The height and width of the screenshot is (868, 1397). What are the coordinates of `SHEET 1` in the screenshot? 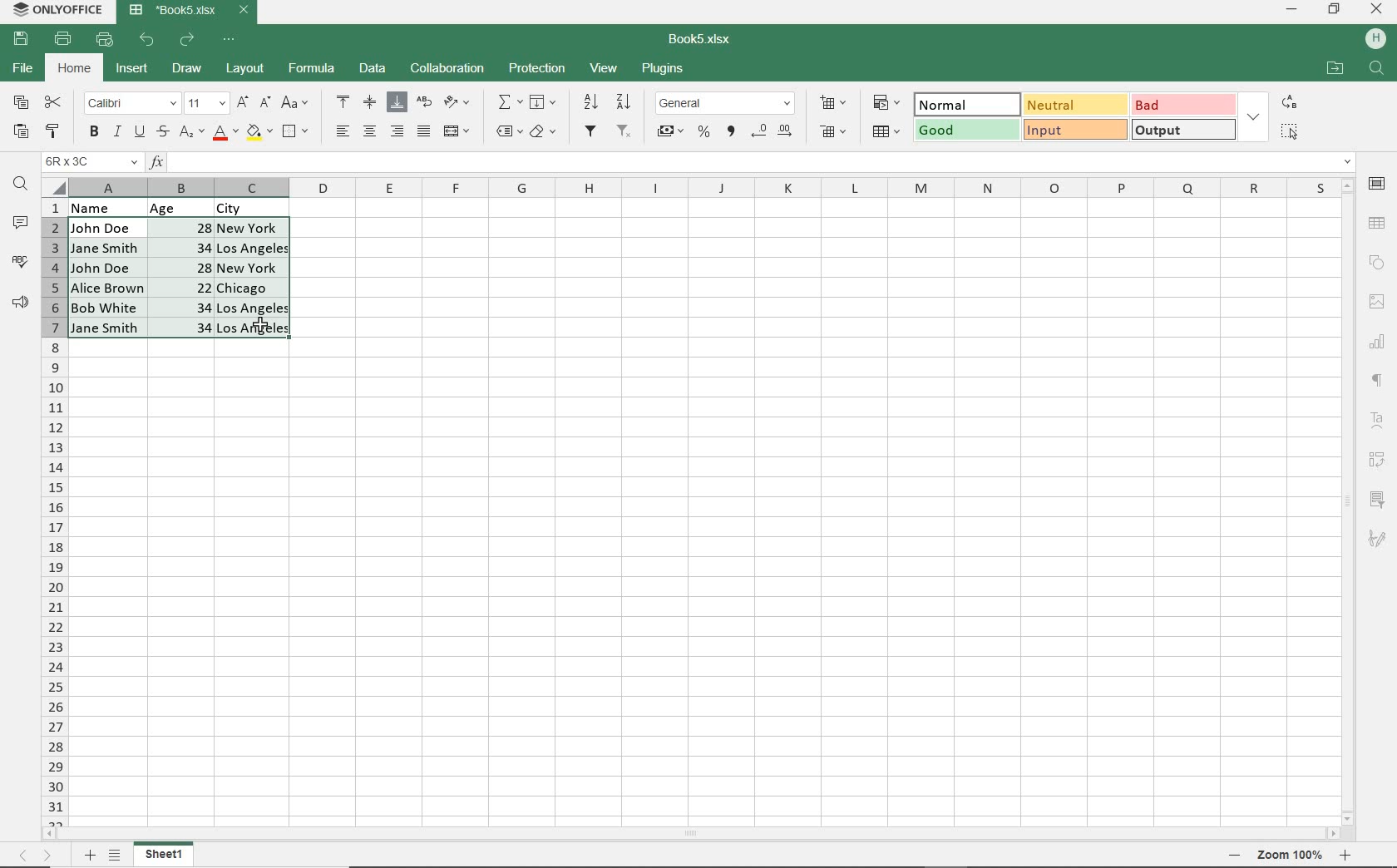 It's located at (165, 855).